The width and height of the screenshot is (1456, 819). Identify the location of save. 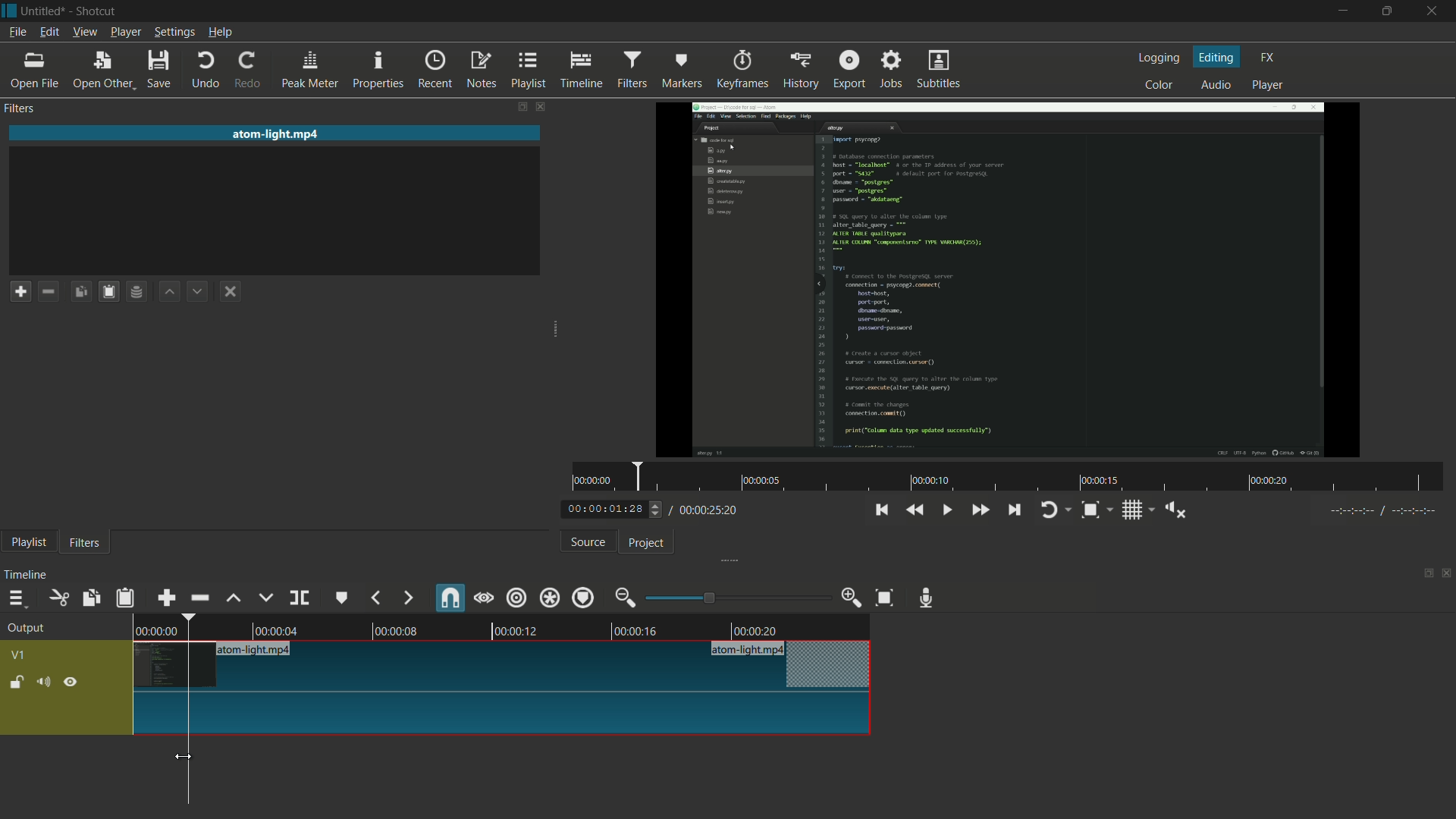
(160, 69).